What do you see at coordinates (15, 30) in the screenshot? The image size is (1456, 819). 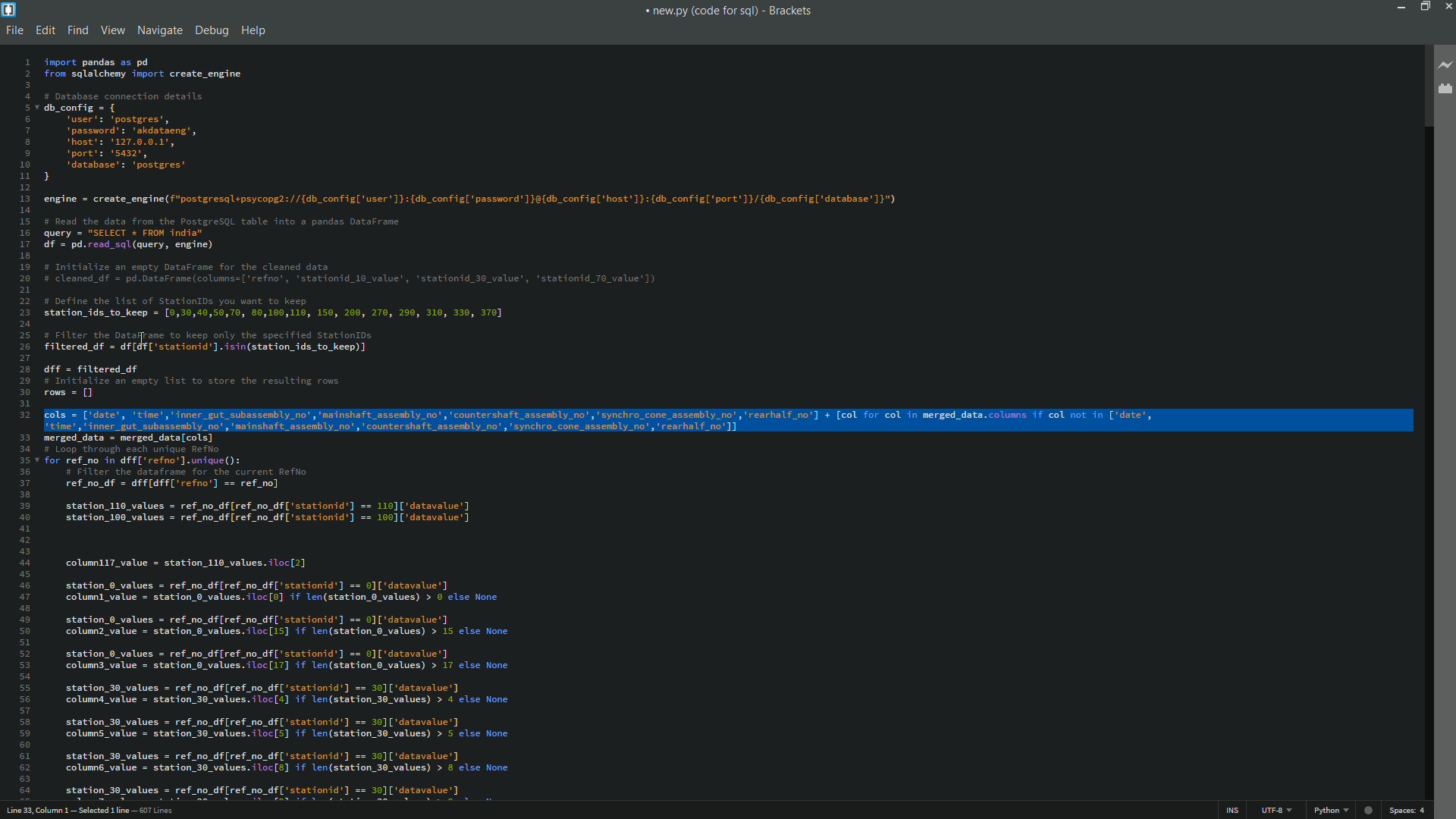 I see `file menu` at bounding box center [15, 30].